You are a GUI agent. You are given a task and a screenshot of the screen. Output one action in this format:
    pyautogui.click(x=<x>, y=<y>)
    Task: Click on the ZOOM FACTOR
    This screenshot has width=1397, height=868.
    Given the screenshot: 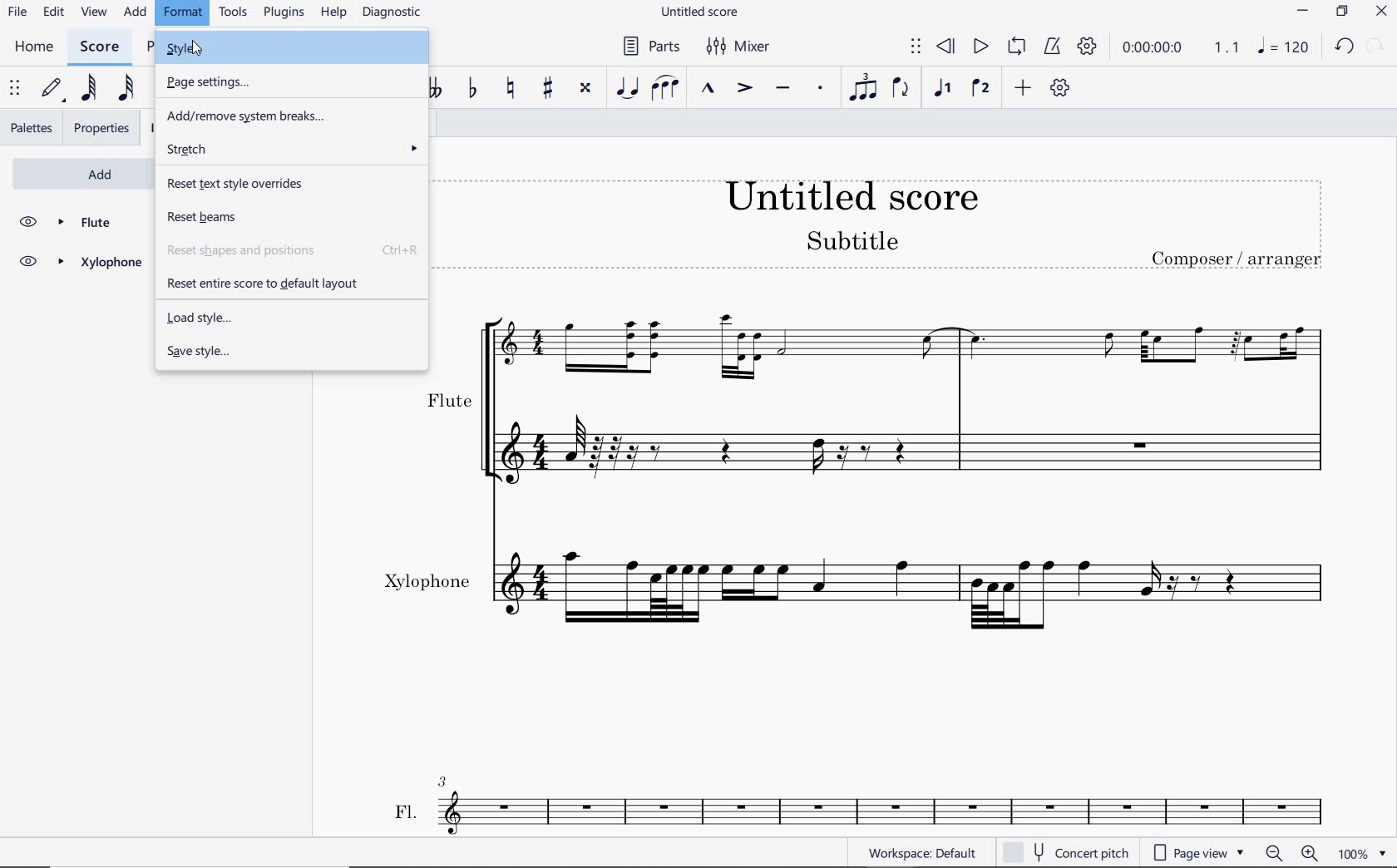 What is the action you would take?
    pyautogui.click(x=1364, y=853)
    